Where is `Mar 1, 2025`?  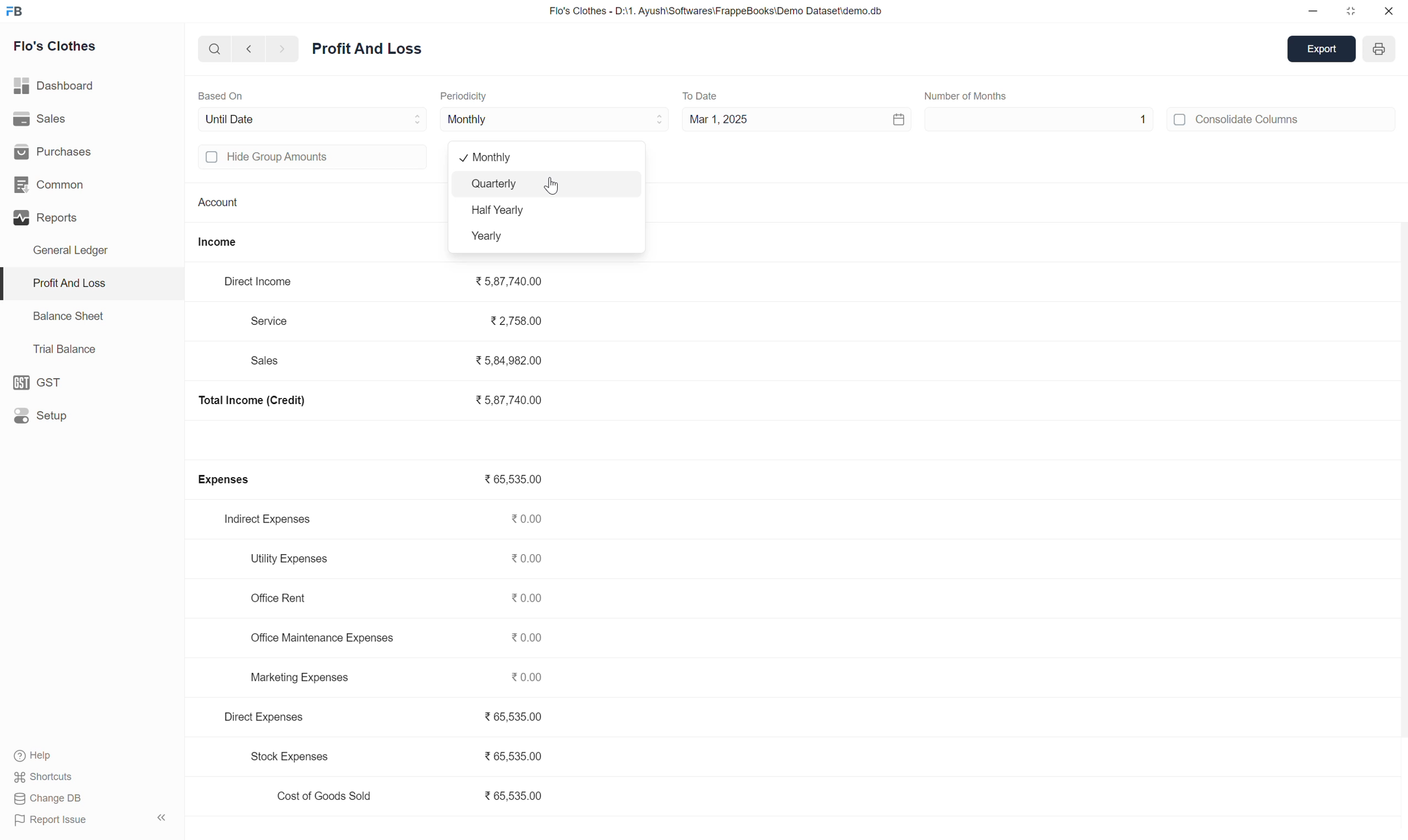
Mar 1, 2025 is located at coordinates (722, 119).